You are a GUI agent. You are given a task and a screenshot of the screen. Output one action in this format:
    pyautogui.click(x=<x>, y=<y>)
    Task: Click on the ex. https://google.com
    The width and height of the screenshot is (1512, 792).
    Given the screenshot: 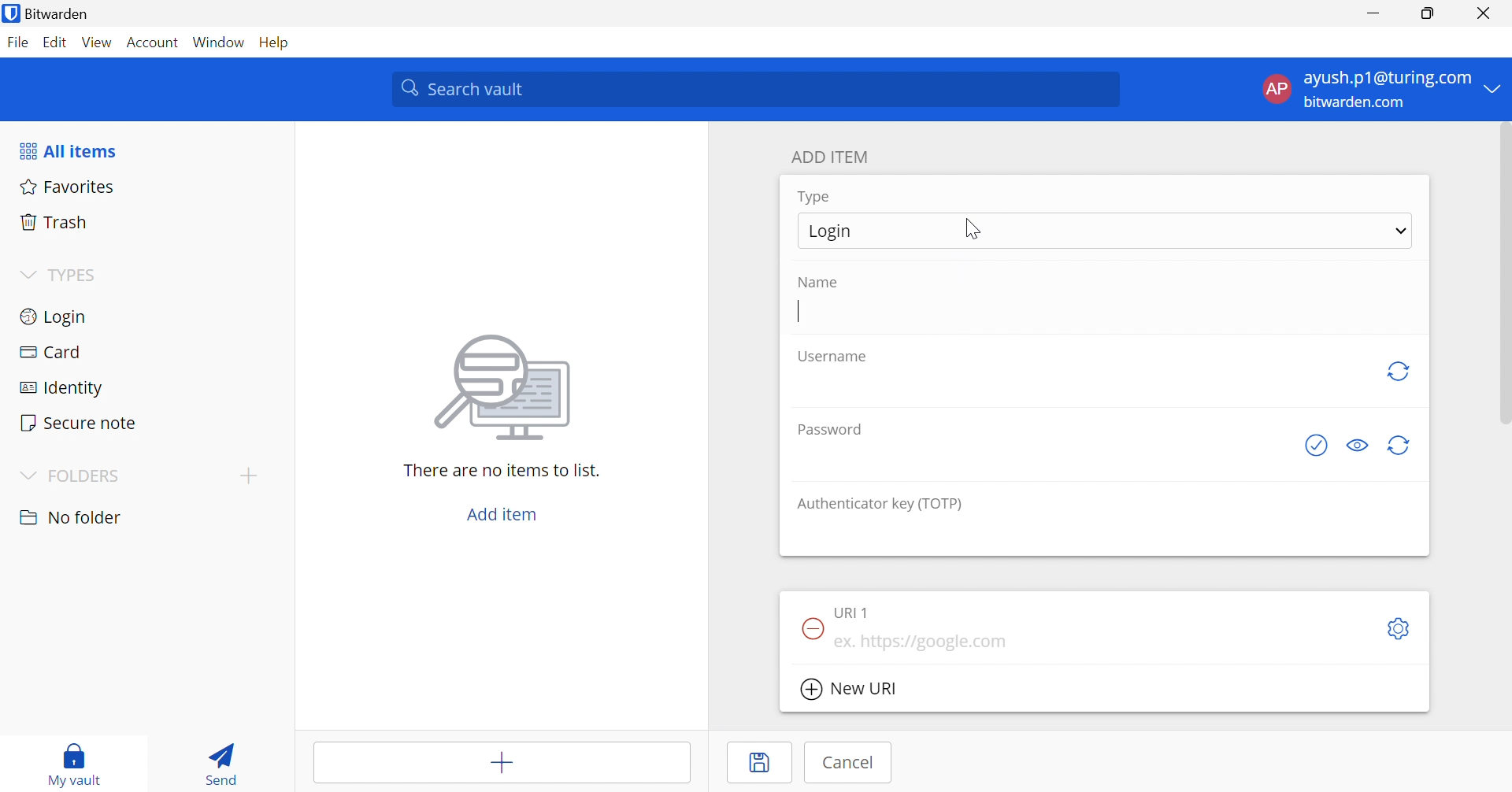 What is the action you would take?
    pyautogui.click(x=930, y=642)
    